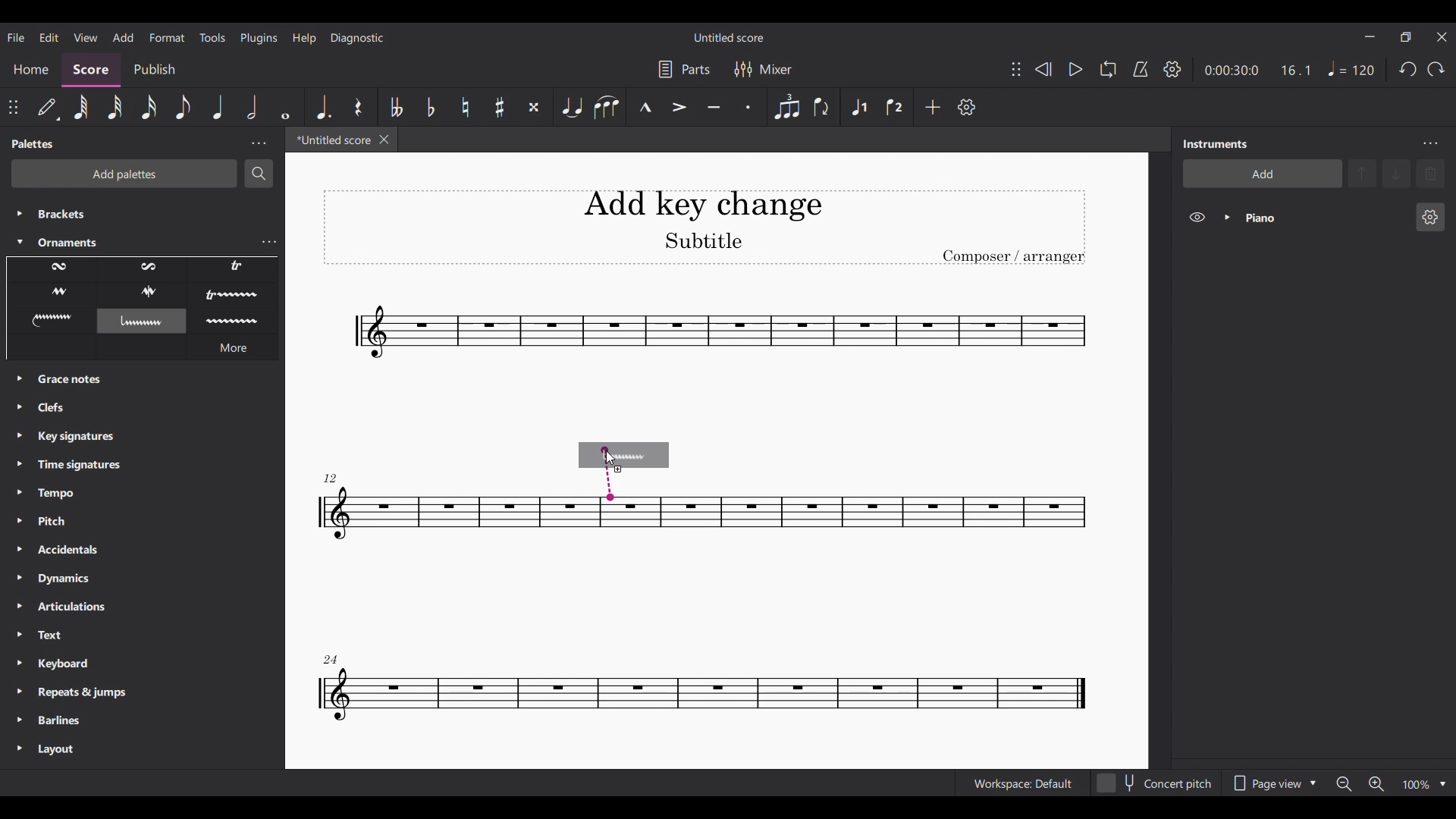 This screenshot has height=819, width=1456. What do you see at coordinates (1273, 783) in the screenshot?
I see `Page view options` at bounding box center [1273, 783].